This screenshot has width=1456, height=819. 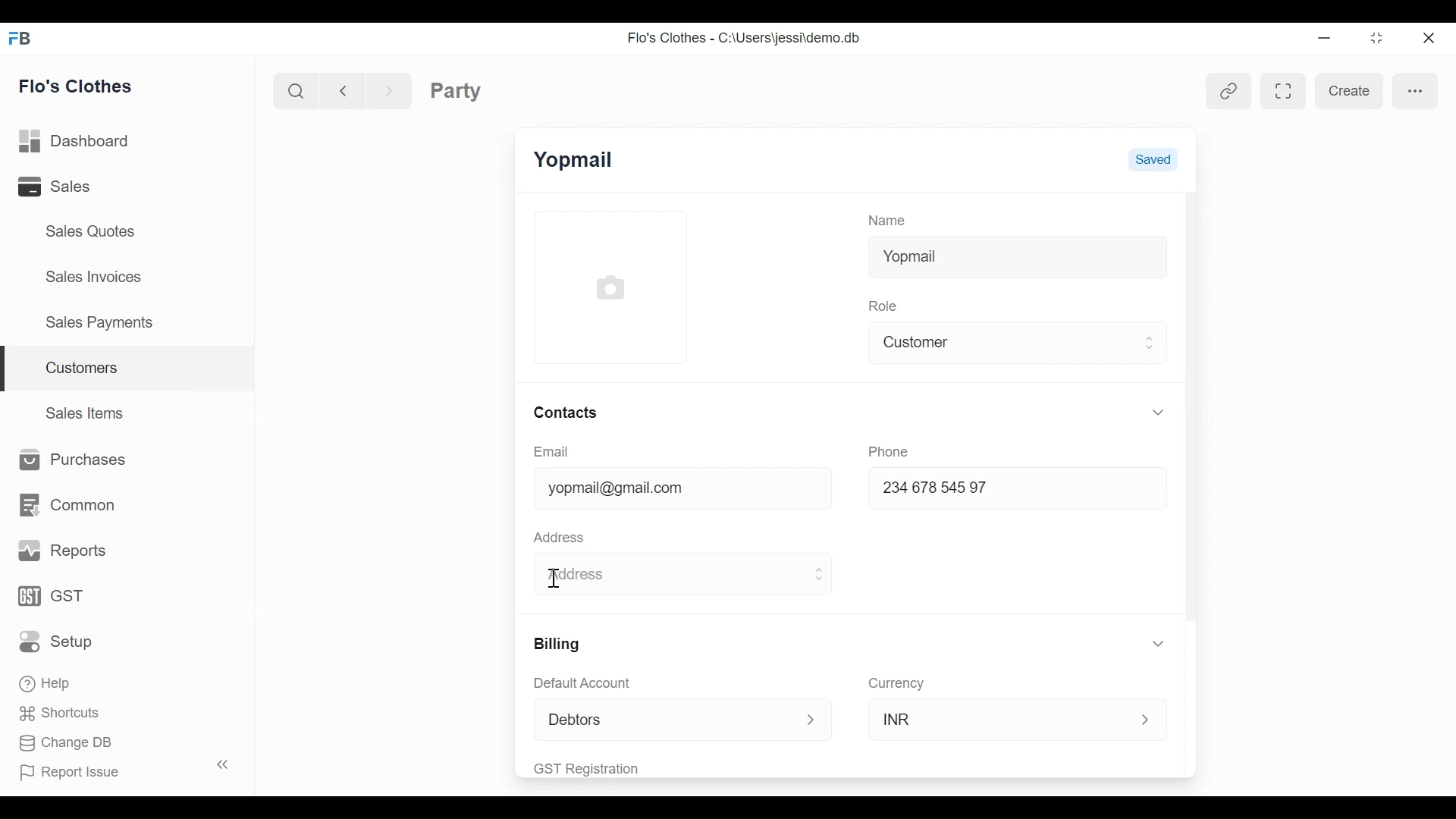 I want to click on GST Registration, so click(x=608, y=767).